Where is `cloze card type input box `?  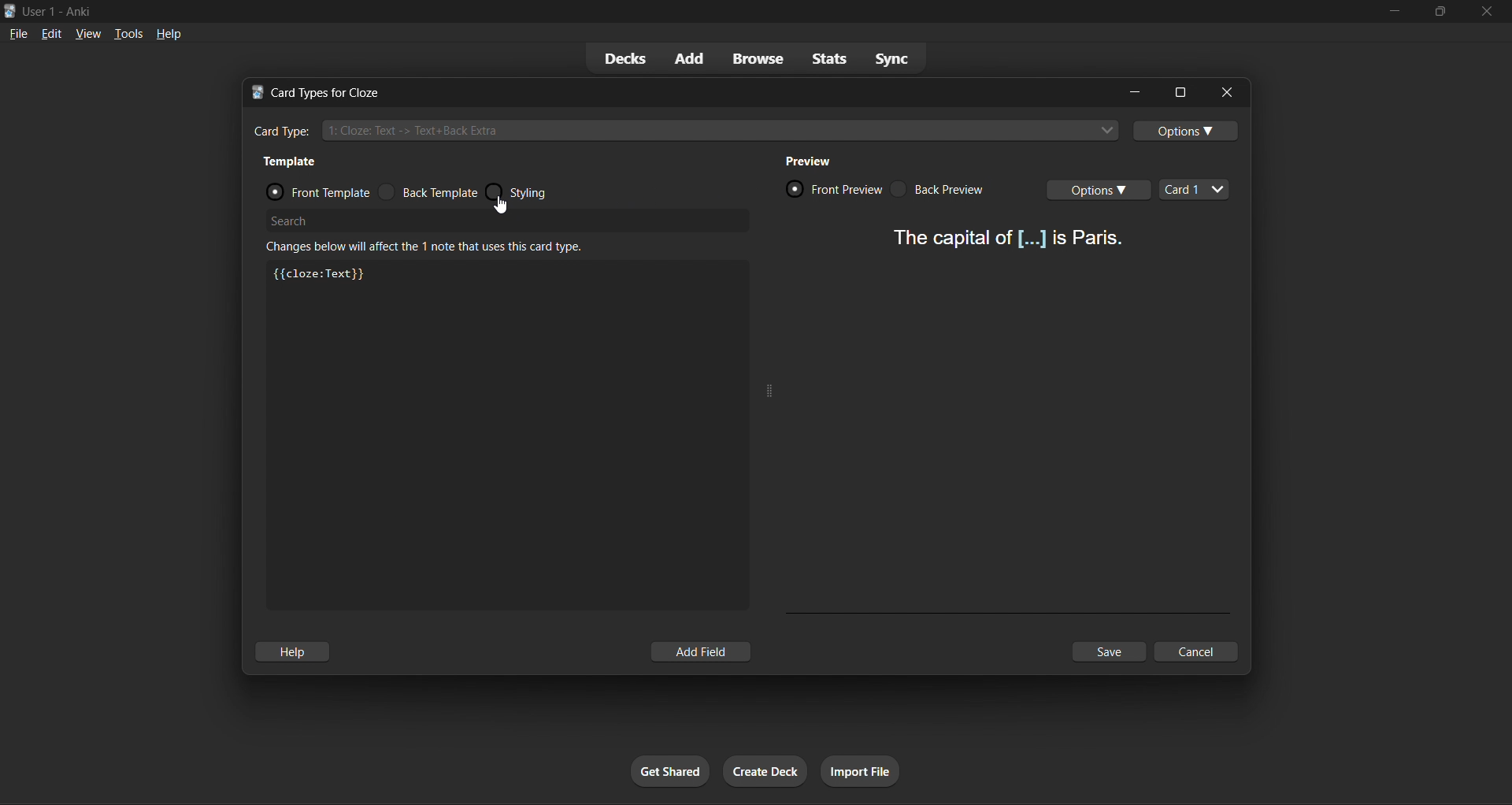
cloze card type input box  is located at coordinates (685, 131).